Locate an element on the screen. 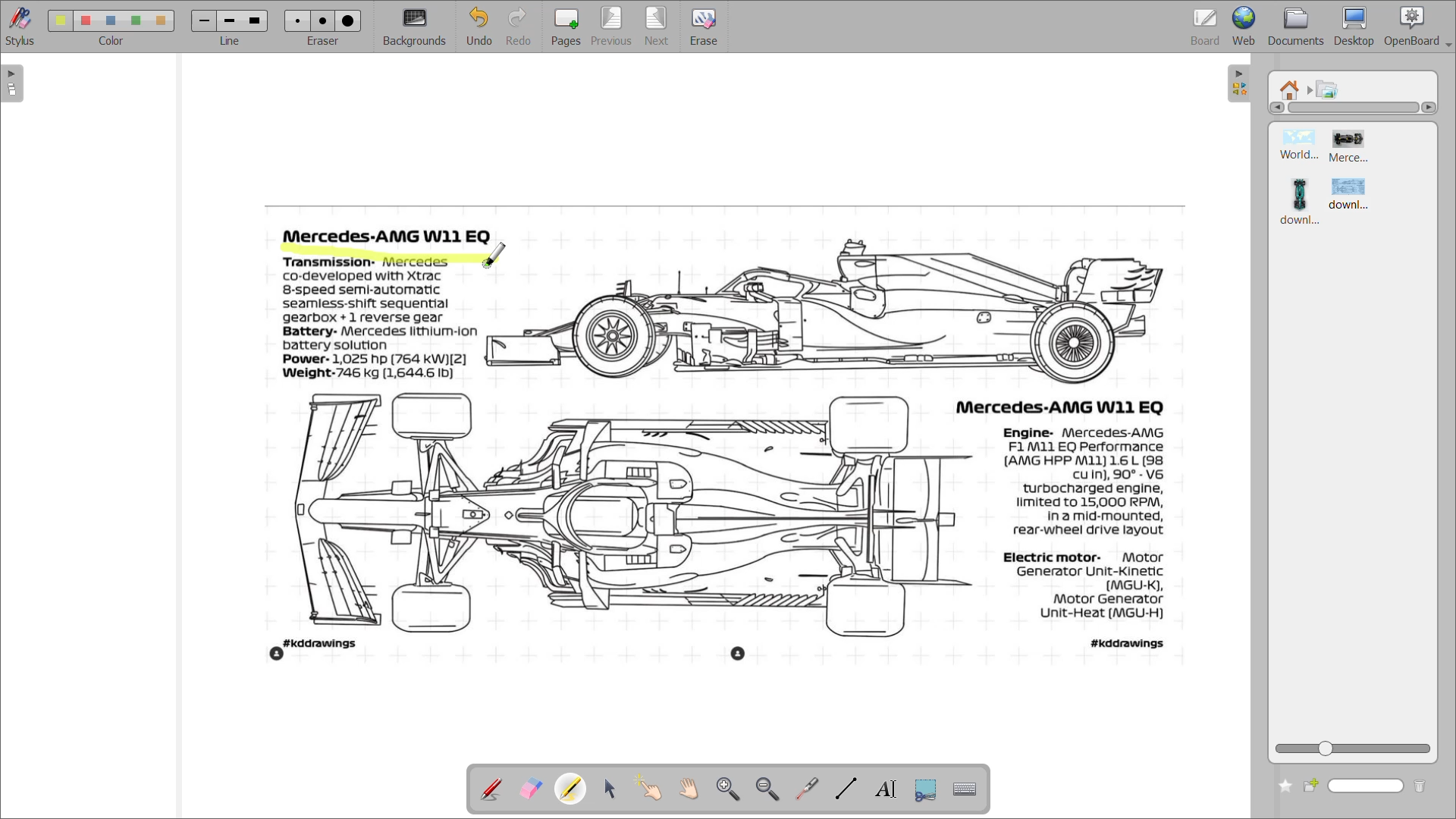 This screenshot has height=819, width=1456. expand page preview is located at coordinates (13, 83).